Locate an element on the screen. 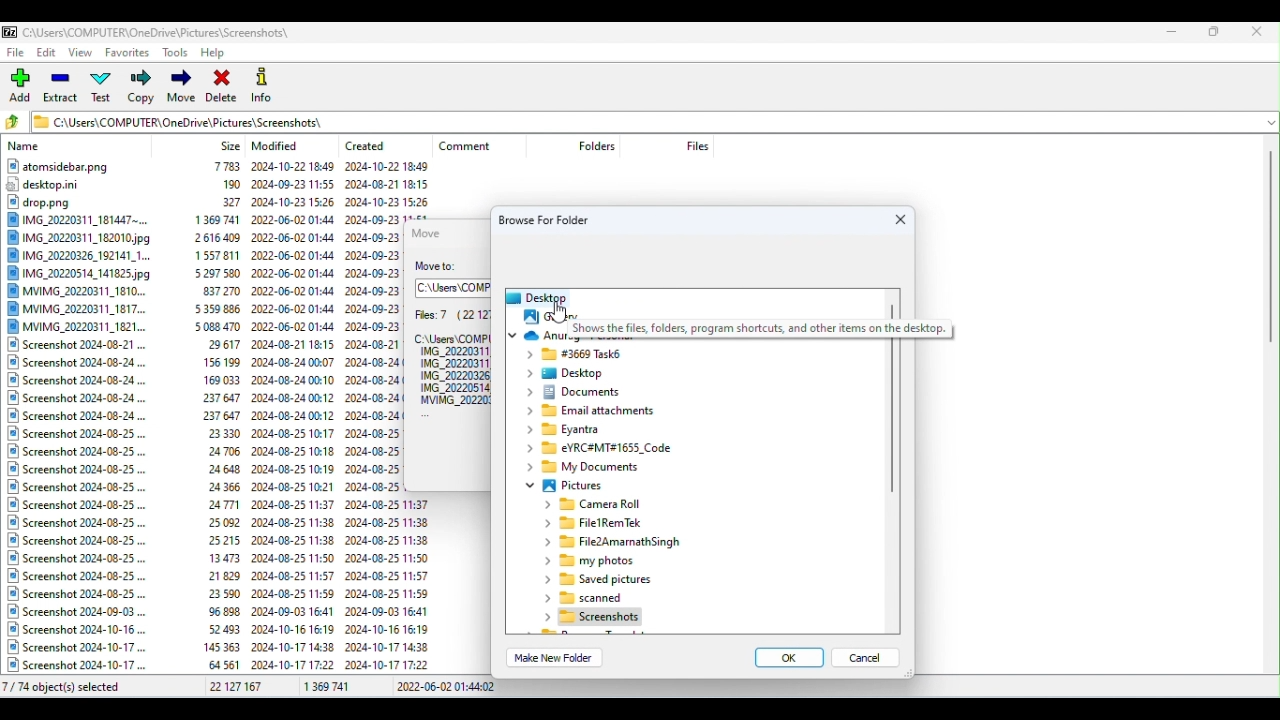  Delete is located at coordinates (223, 85).